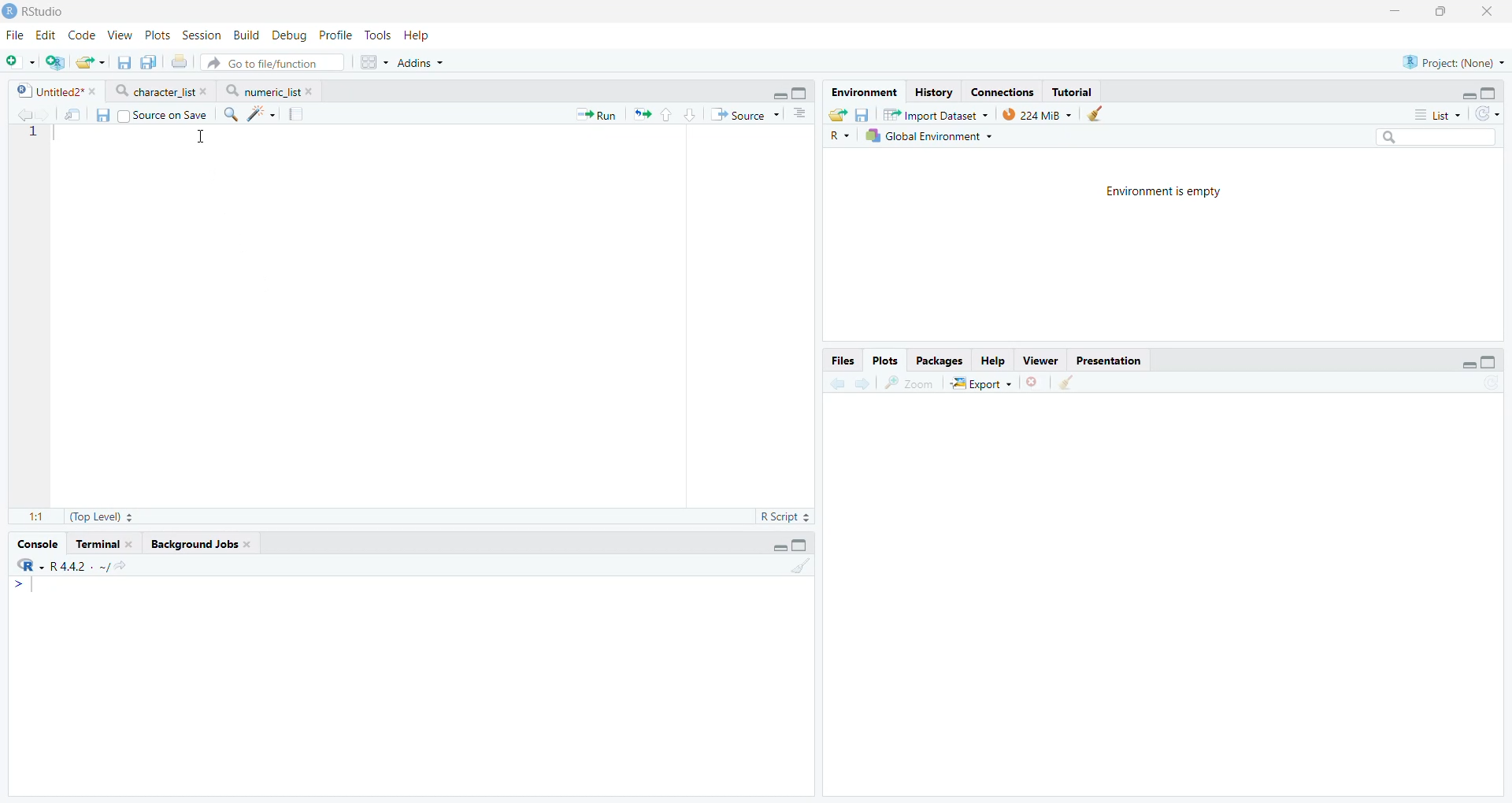 The height and width of the screenshot is (803, 1512). I want to click on Go to next source location, so click(45, 113).